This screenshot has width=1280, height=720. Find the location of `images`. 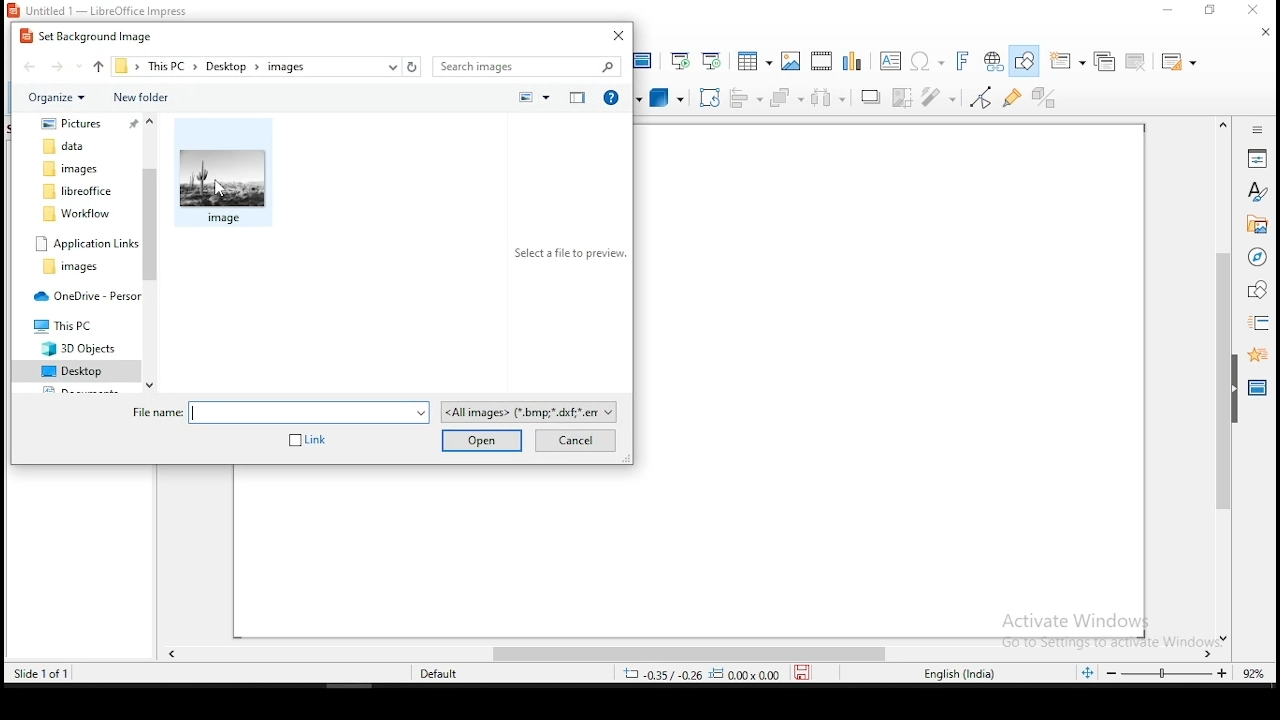

images is located at coordinates (791, 59).